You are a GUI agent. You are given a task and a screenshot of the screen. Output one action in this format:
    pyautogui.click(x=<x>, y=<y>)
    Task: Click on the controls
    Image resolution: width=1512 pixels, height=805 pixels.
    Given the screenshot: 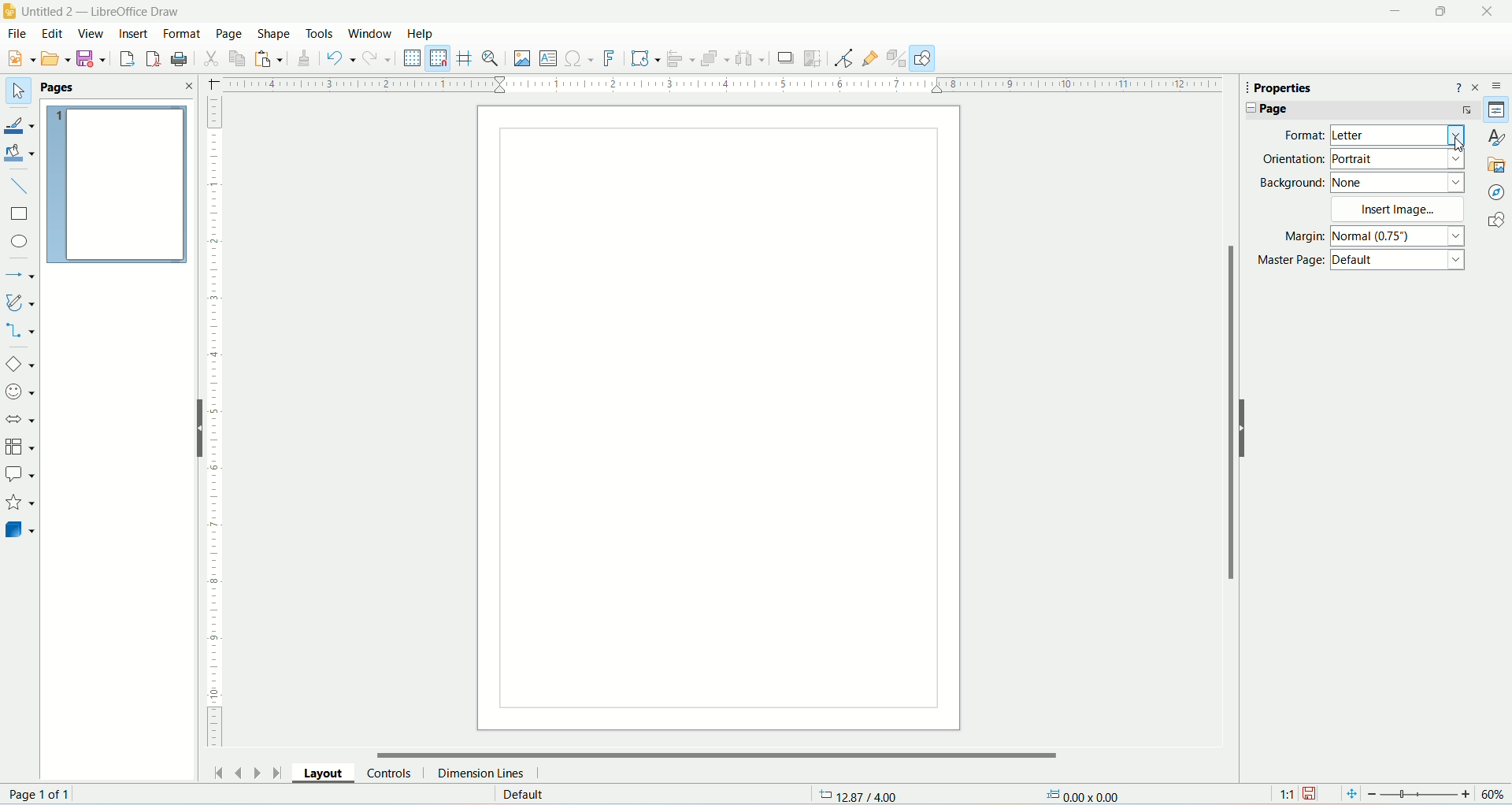 What is the action you would take?
    pyautogui.click(x=394, y=771)
    